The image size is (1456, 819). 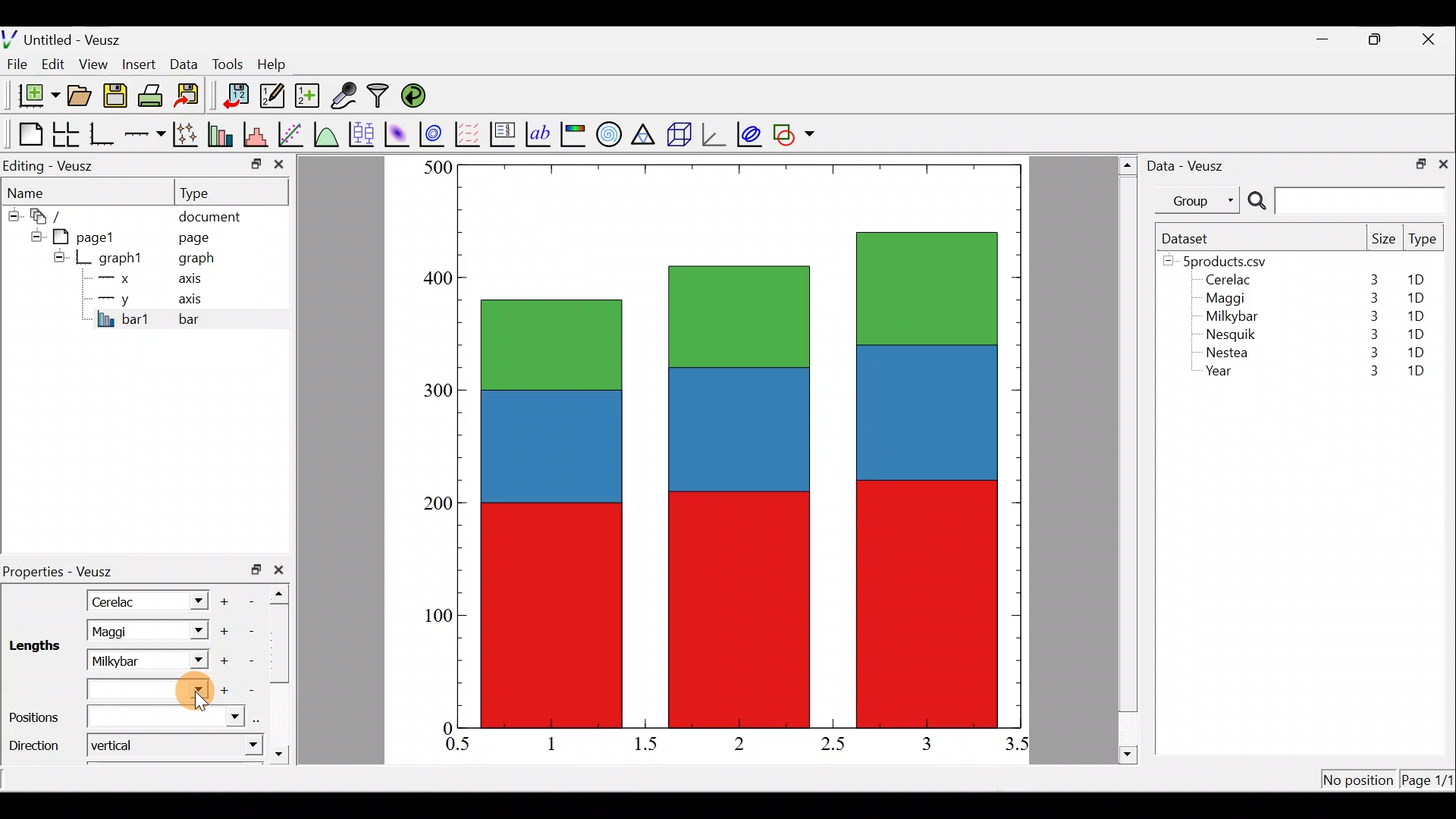 What do you see at coordinates (227, 599) in the screenshot?
I see `Add another item` at bounding box center [227, 599].